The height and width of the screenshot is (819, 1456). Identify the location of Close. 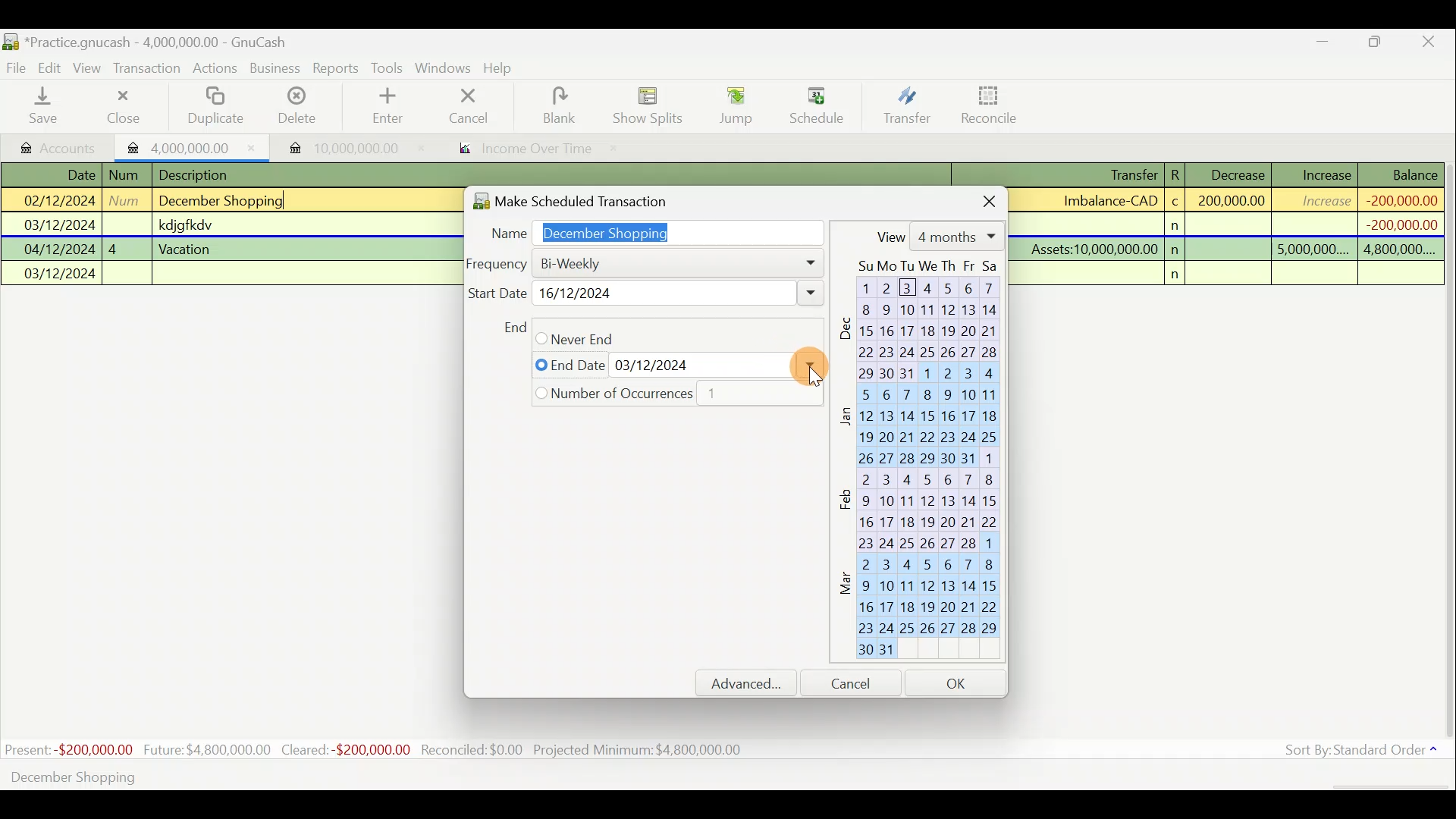
(977, 199).